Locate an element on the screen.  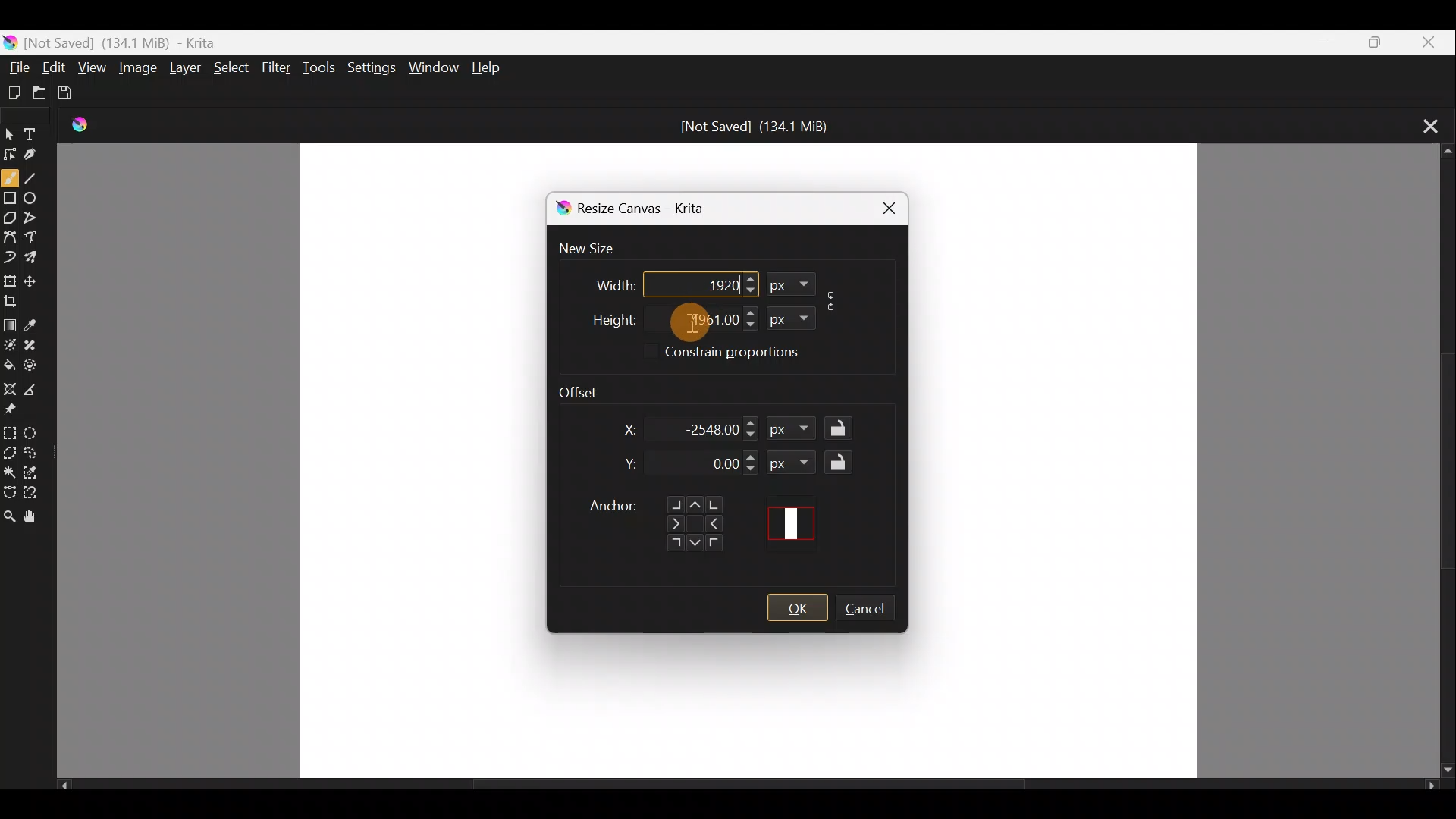
Bezier curve selection tool is located at coordinates (9, 489).